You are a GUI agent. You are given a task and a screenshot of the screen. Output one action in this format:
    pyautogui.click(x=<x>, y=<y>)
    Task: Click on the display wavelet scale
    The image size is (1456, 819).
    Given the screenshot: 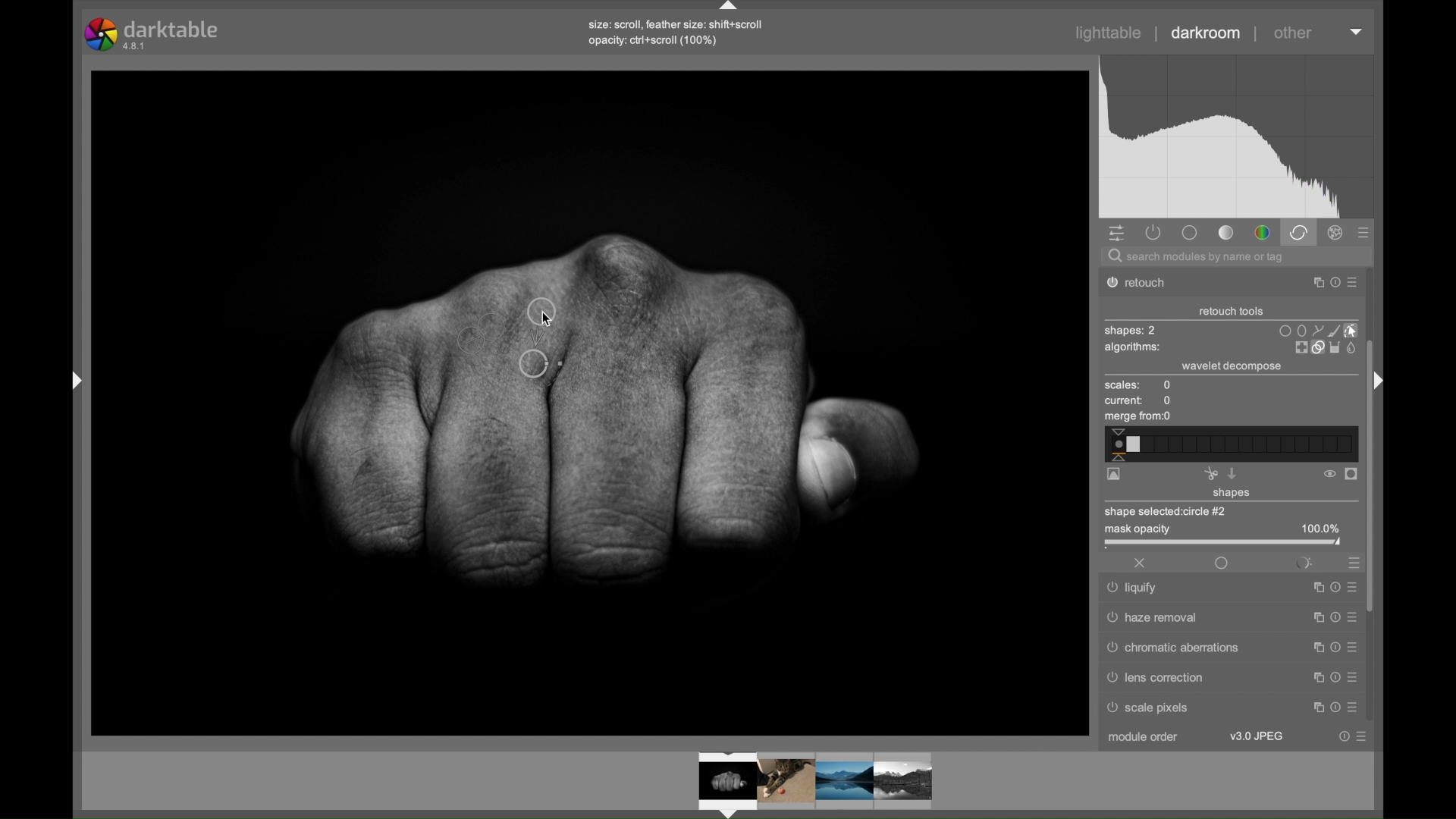 What is the action you would take?
    pyautogui.click(x=1114, y=475)
    